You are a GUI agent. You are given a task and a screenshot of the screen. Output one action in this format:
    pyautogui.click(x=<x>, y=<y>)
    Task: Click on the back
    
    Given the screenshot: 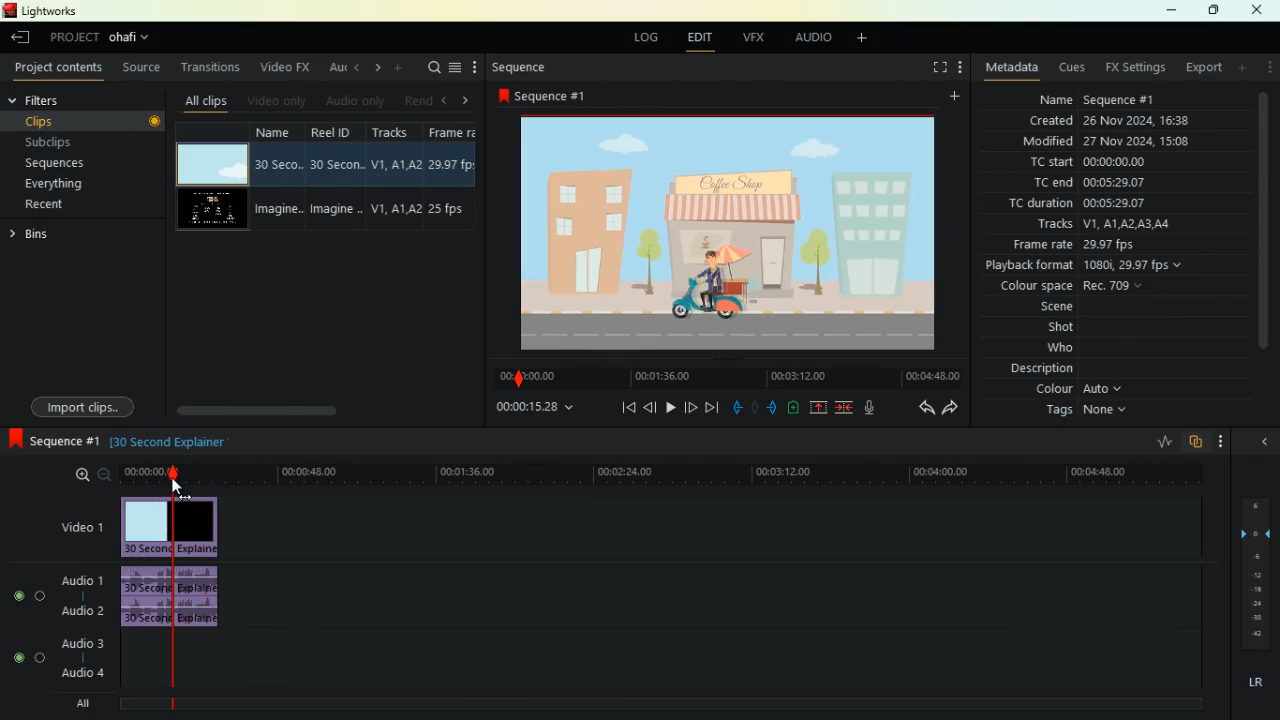 What is the action you would take?
    pyautogui.click(x=648, y=409)
    